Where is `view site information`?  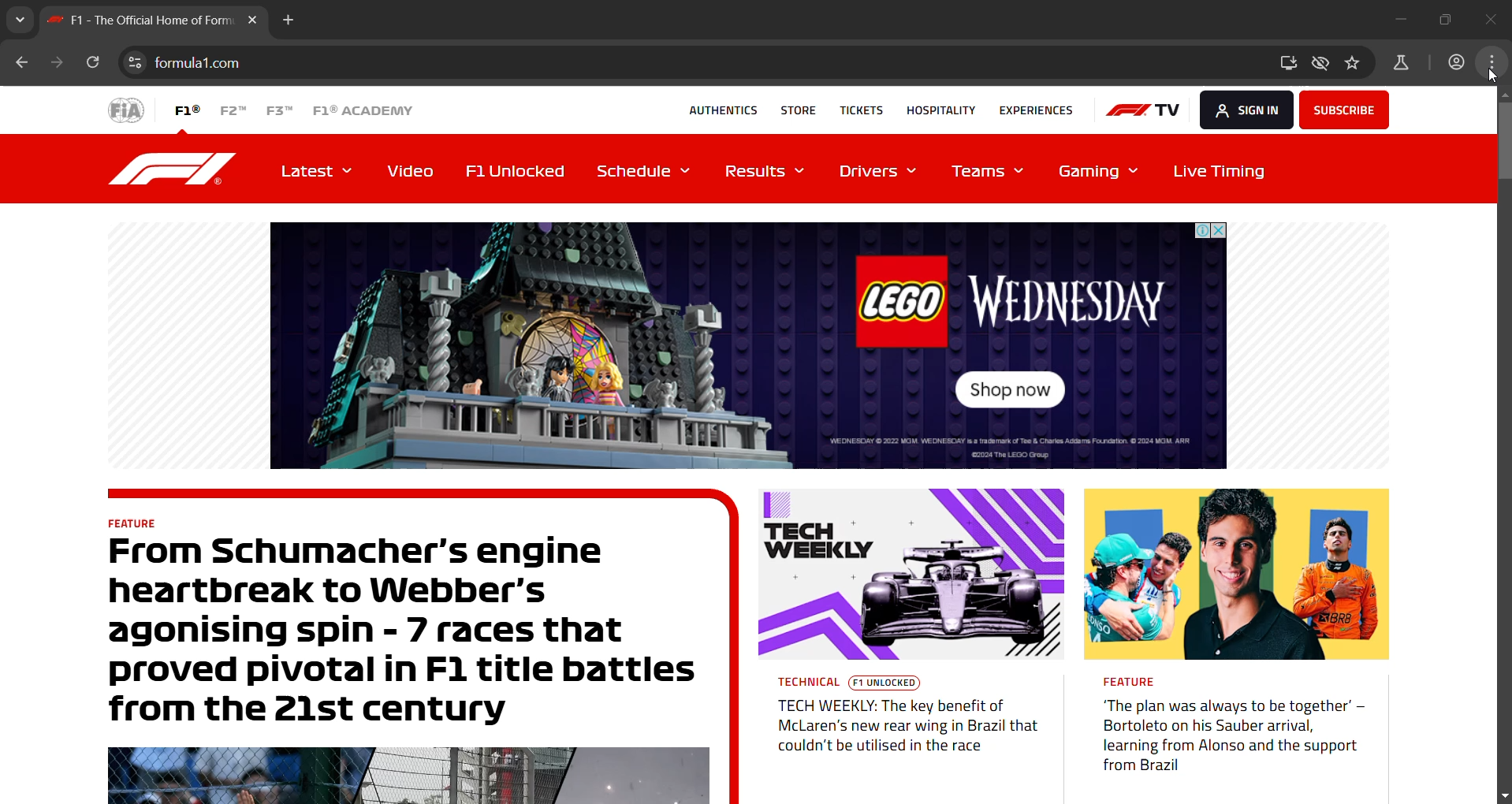
view site information is located at coordinates (136, 62).